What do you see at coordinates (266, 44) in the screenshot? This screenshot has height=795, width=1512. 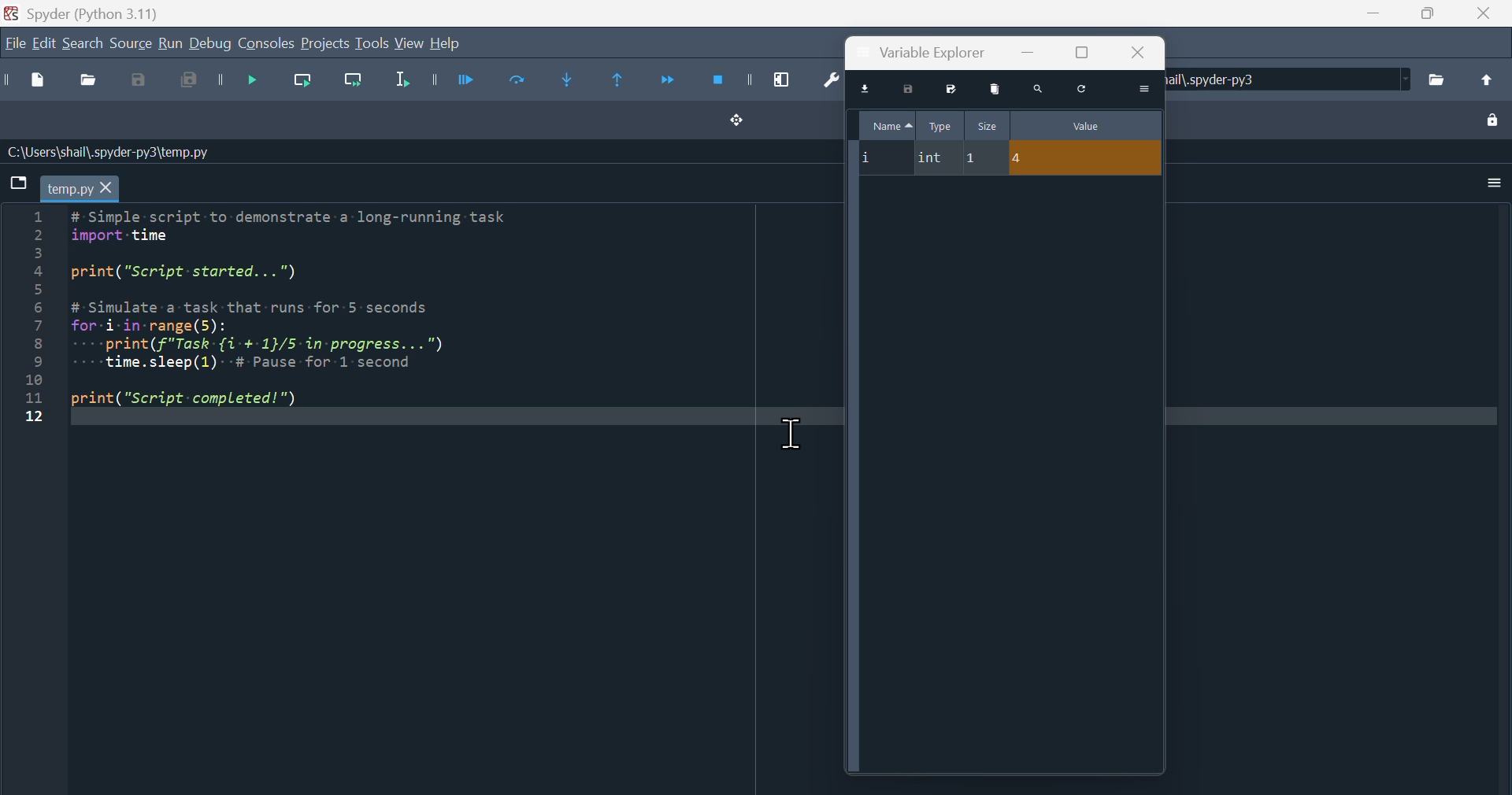 I see `Consoles` at bounding box center [266, 44].